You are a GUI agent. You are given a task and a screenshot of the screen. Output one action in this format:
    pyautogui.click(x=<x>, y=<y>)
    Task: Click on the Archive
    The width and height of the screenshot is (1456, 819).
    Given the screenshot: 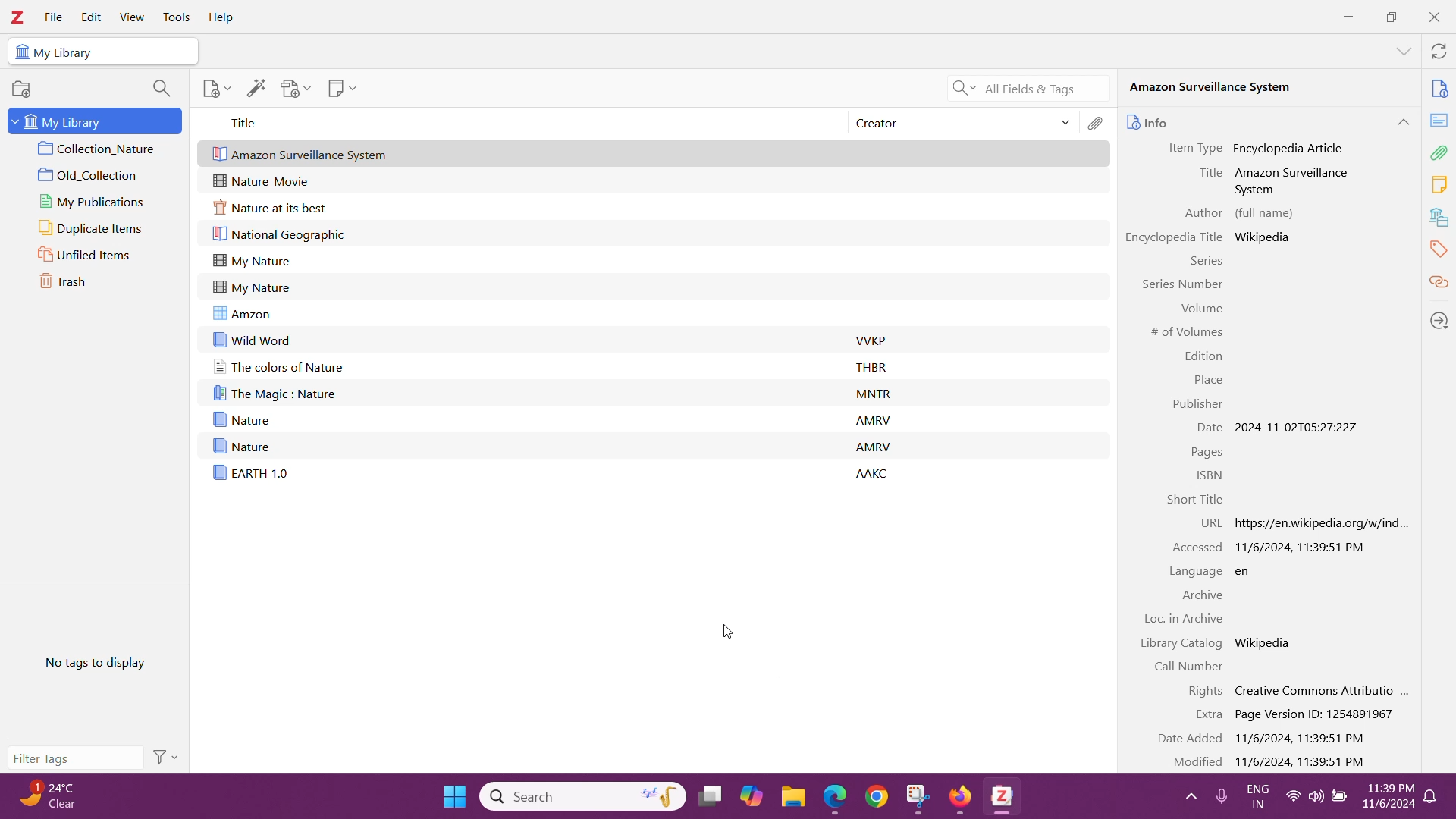 What is the action you would take?
    pyautogui.click(x=1203, y=596)
    